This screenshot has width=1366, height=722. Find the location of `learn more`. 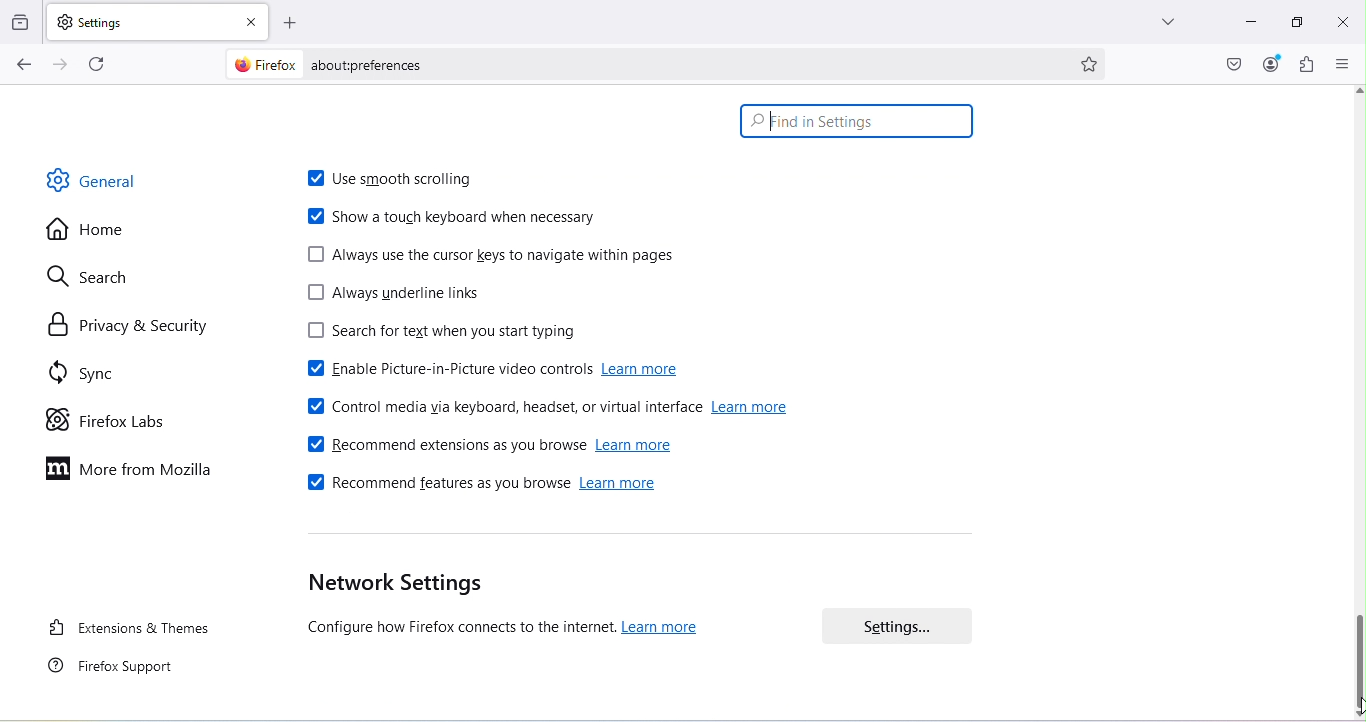

learn more is located at coordinates (623, 485).